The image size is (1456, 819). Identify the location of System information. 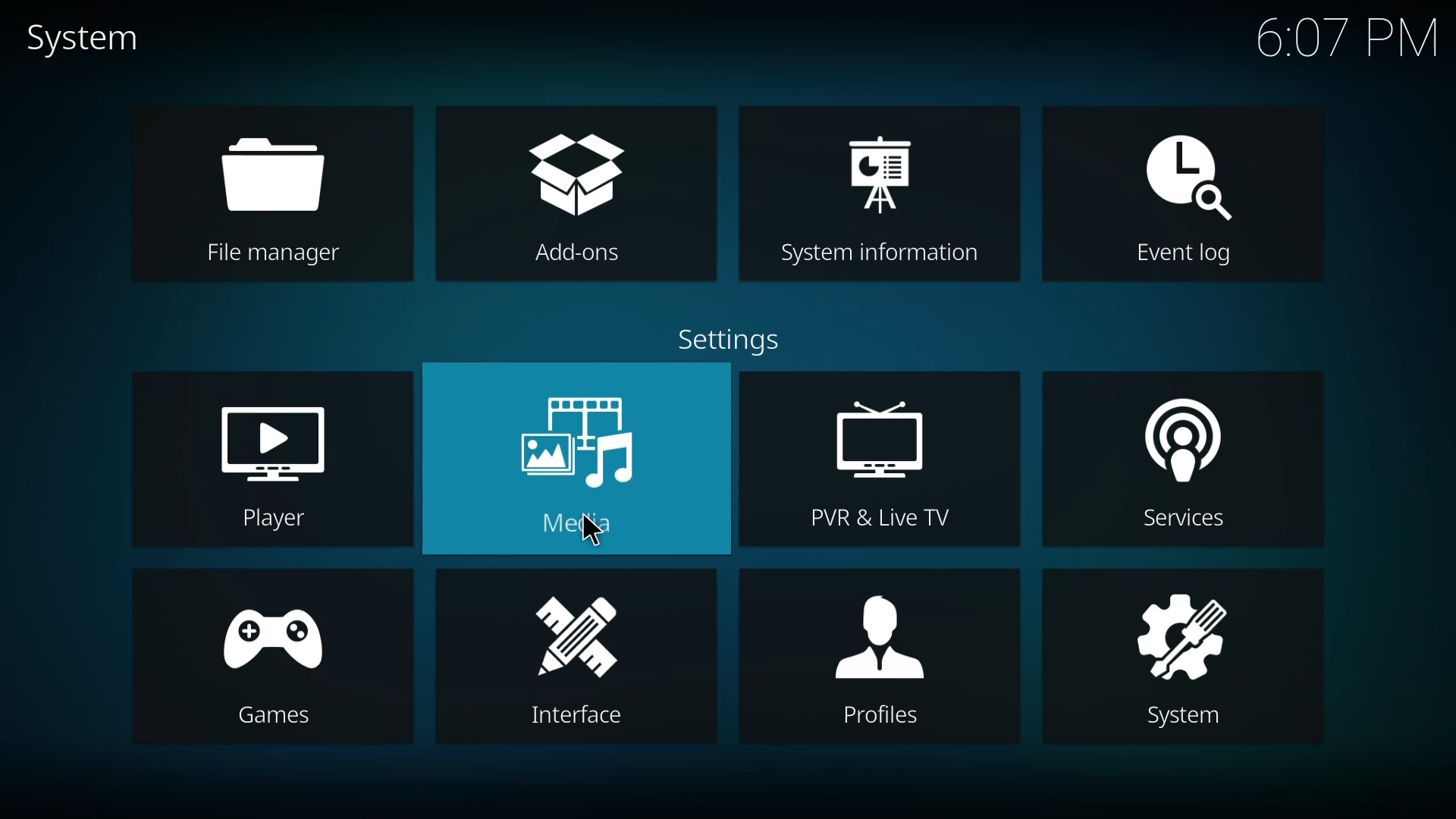
(875, 255).